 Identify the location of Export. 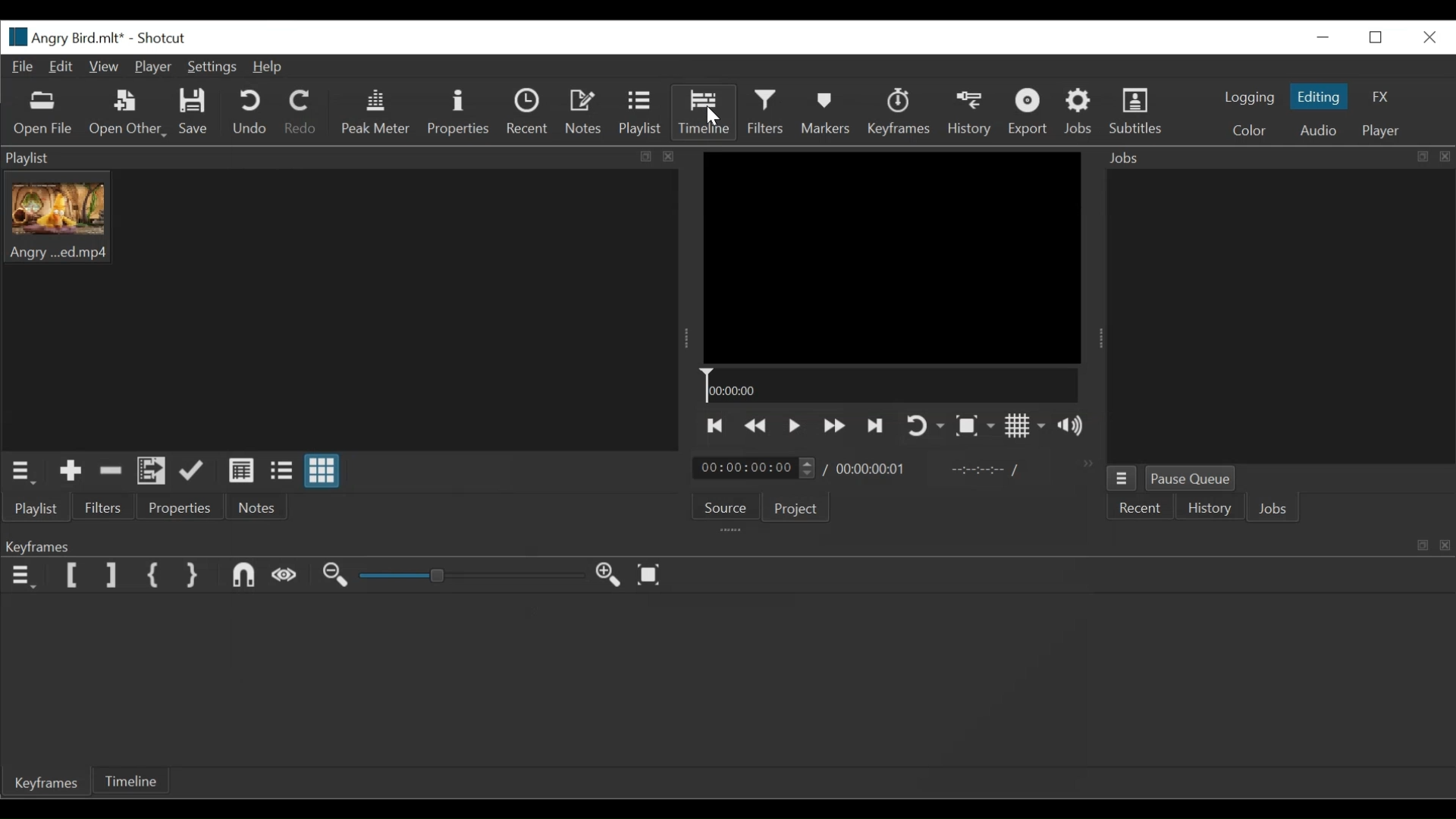
(1029, 113).